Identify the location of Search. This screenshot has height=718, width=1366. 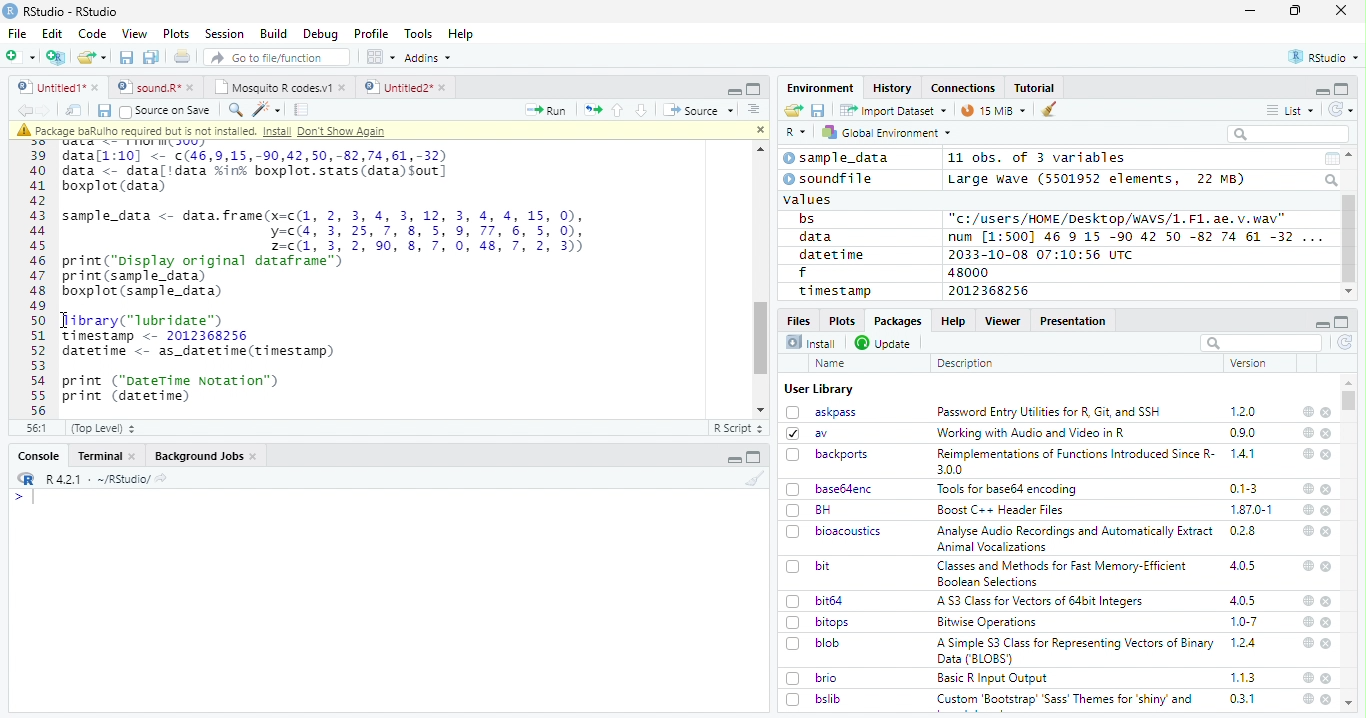
(1333, 180).